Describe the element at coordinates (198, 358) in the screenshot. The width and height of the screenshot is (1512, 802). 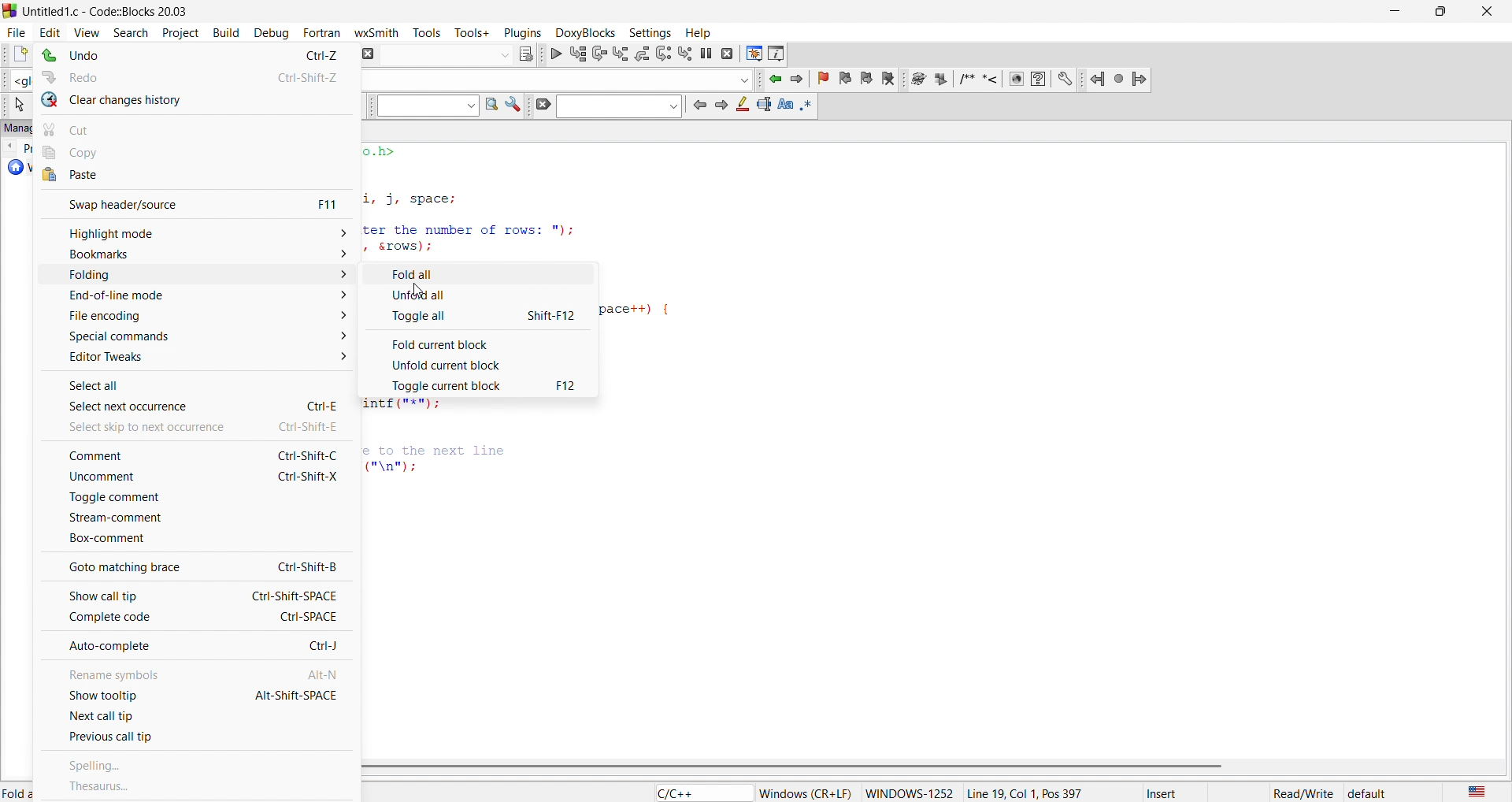
I see `editor tweaks` at that location.